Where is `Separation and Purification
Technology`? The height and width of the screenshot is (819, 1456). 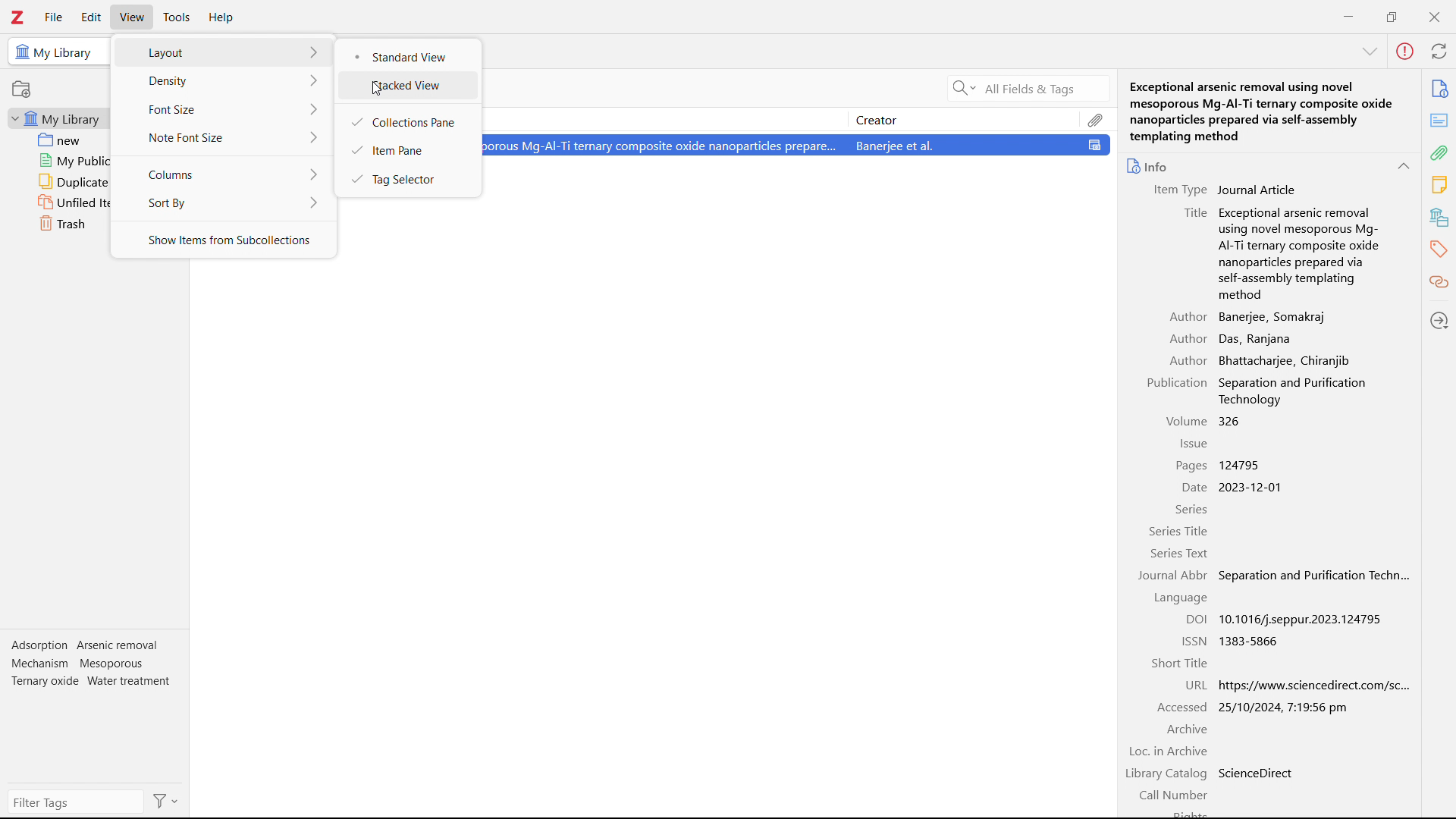
Separation and Purification
Technology is located at coordinates (1294, 391).